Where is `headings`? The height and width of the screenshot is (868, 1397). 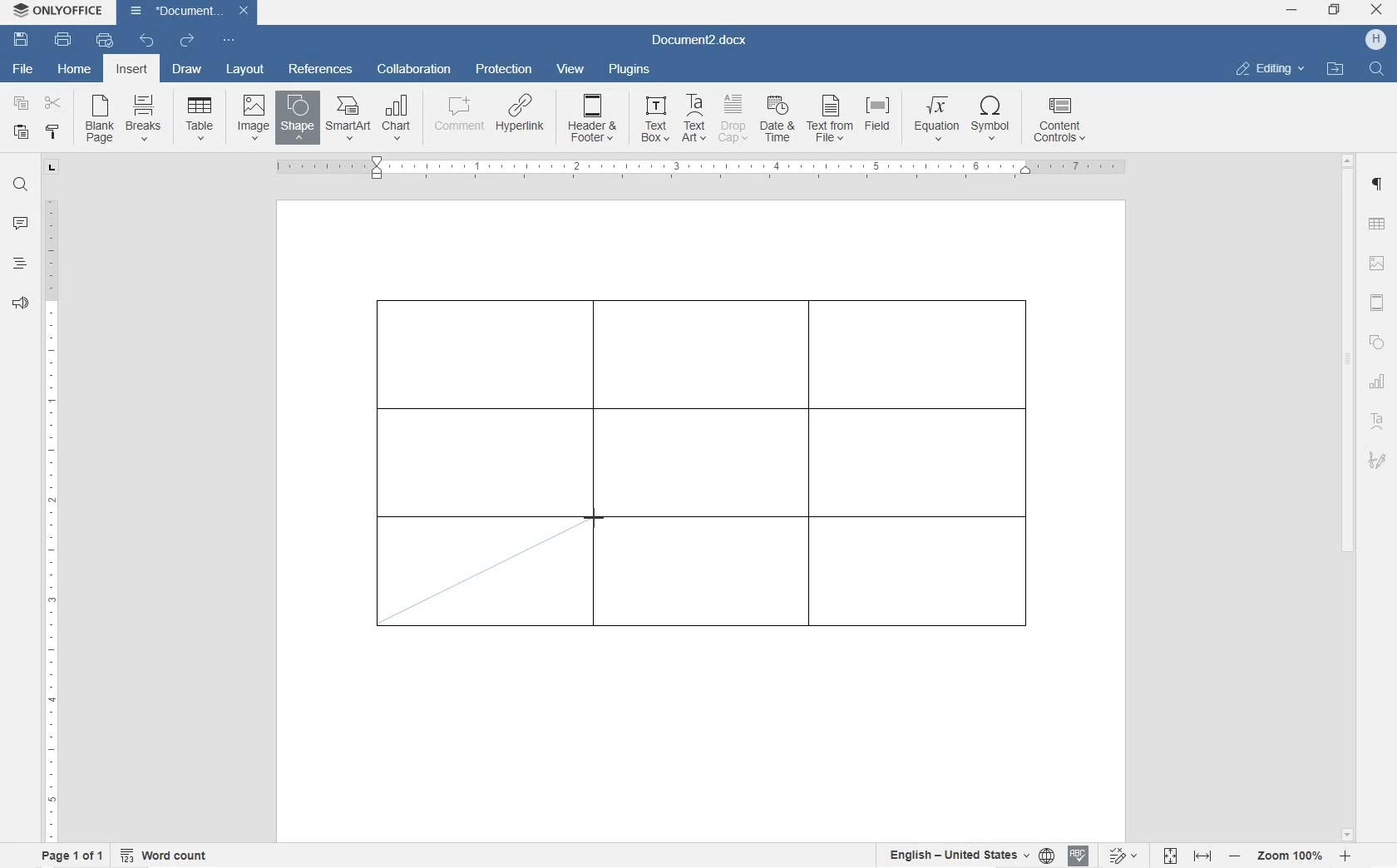
headings is located at coordinates (20, 264).